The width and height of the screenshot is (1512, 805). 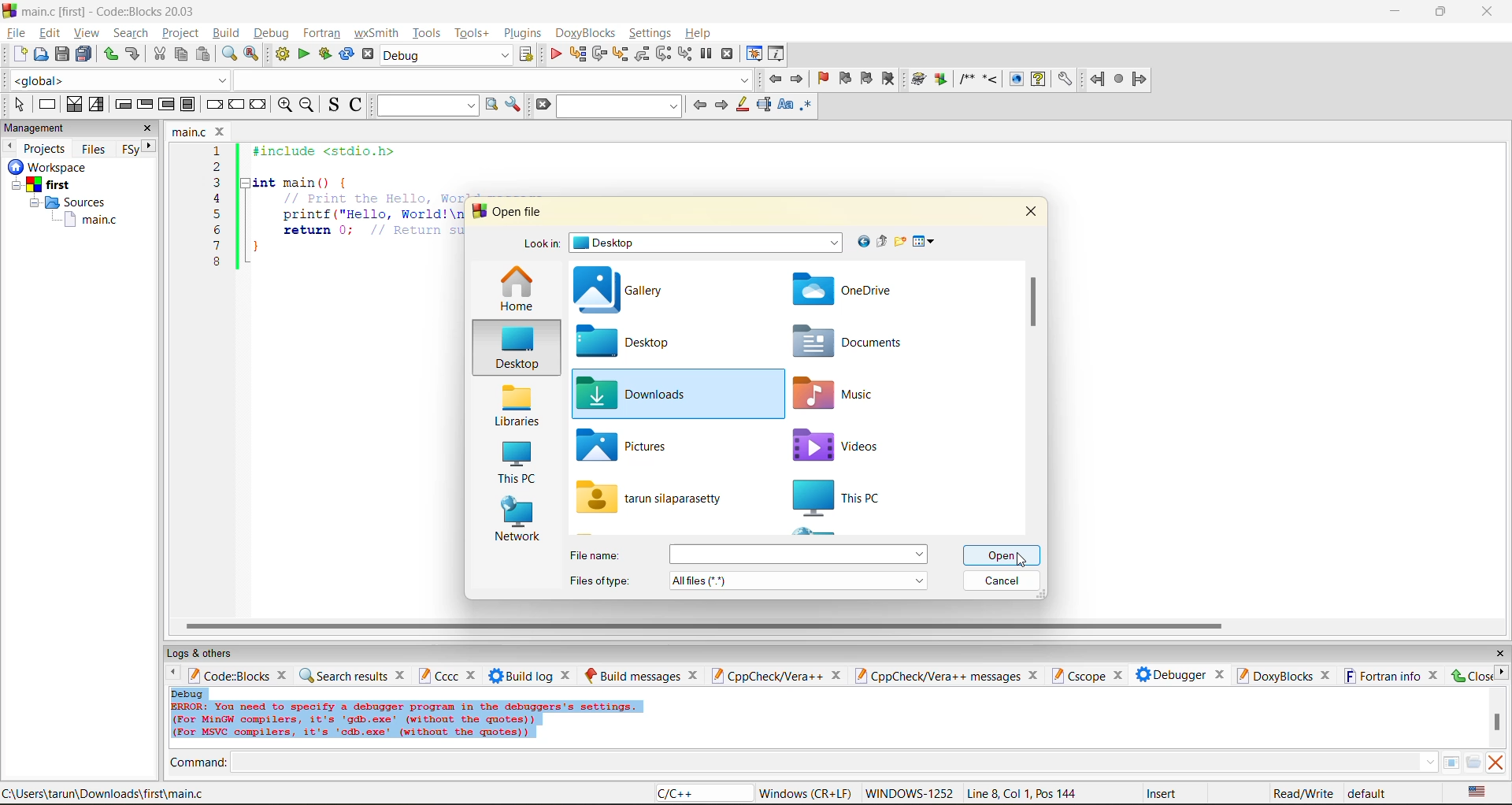 I want to click on next, so click(x=1501, y=672).